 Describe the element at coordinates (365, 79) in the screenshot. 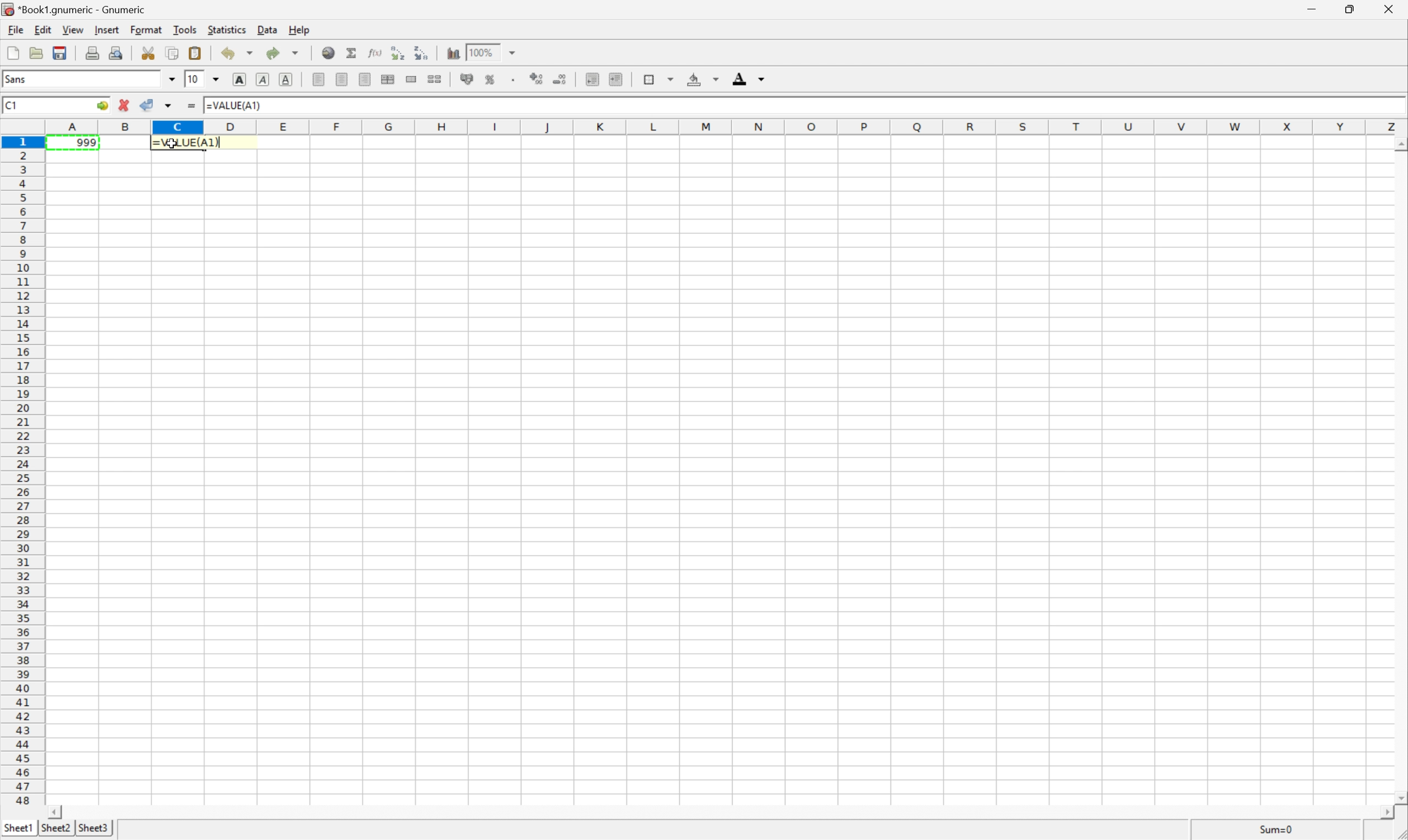

I see `Align right` at that location.